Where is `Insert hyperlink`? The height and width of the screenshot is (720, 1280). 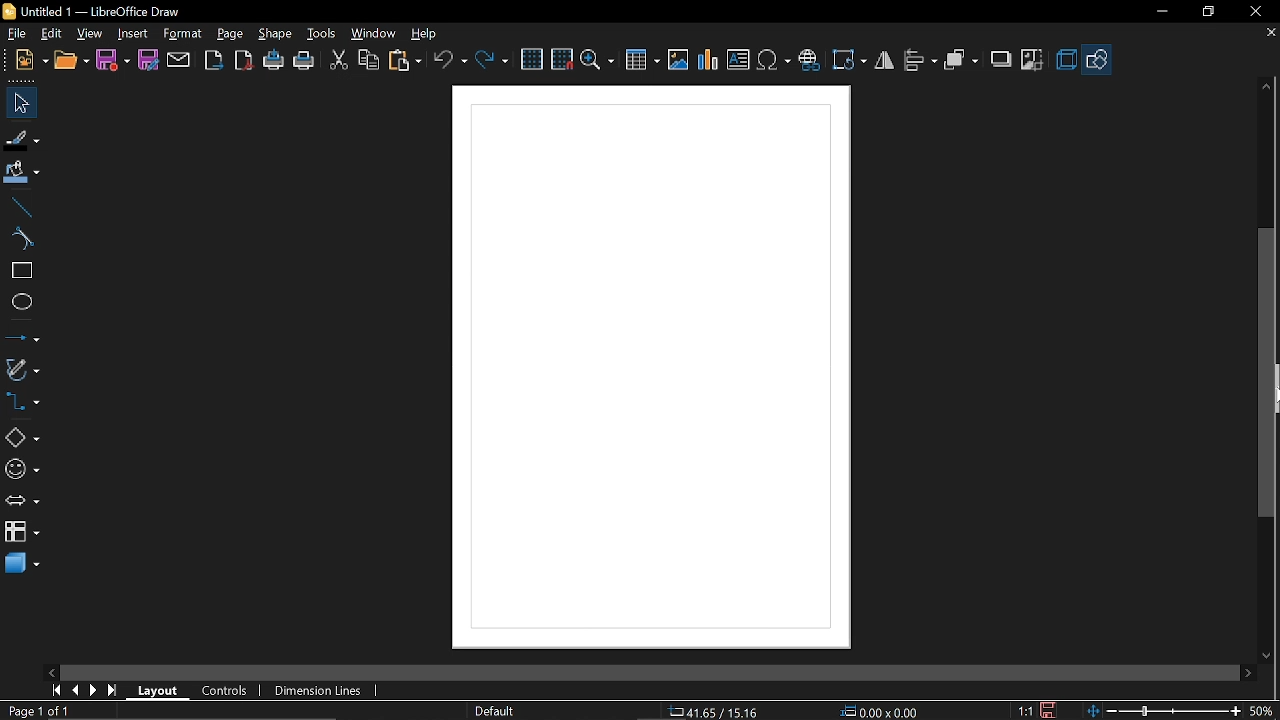
Insert hyperlink is located at coordinates (810, 61).